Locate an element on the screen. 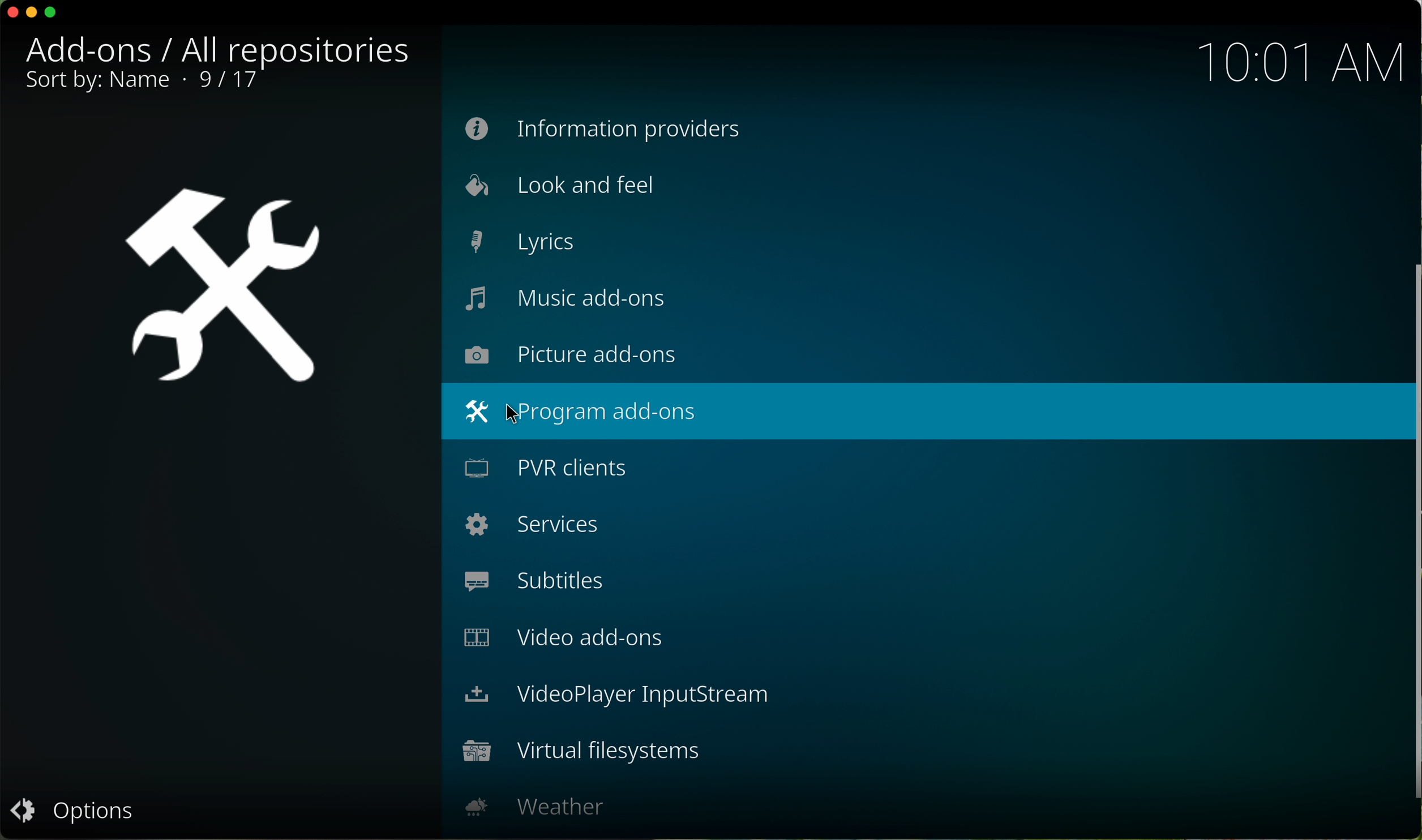 Image resolution: width=1422 pixels, height=840 pixels. options is located at coordinates (79, 812).